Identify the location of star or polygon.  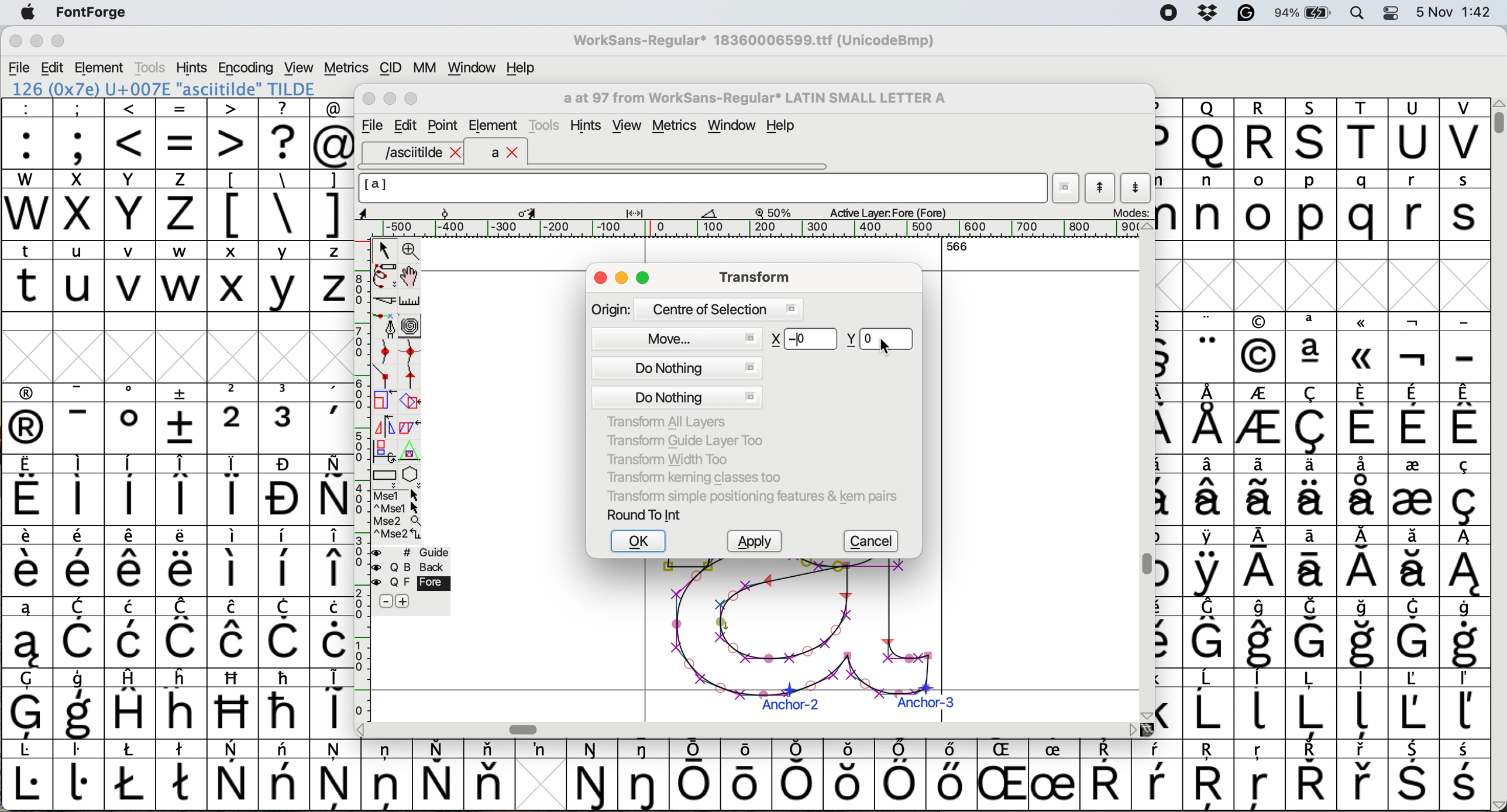
(411, 474).